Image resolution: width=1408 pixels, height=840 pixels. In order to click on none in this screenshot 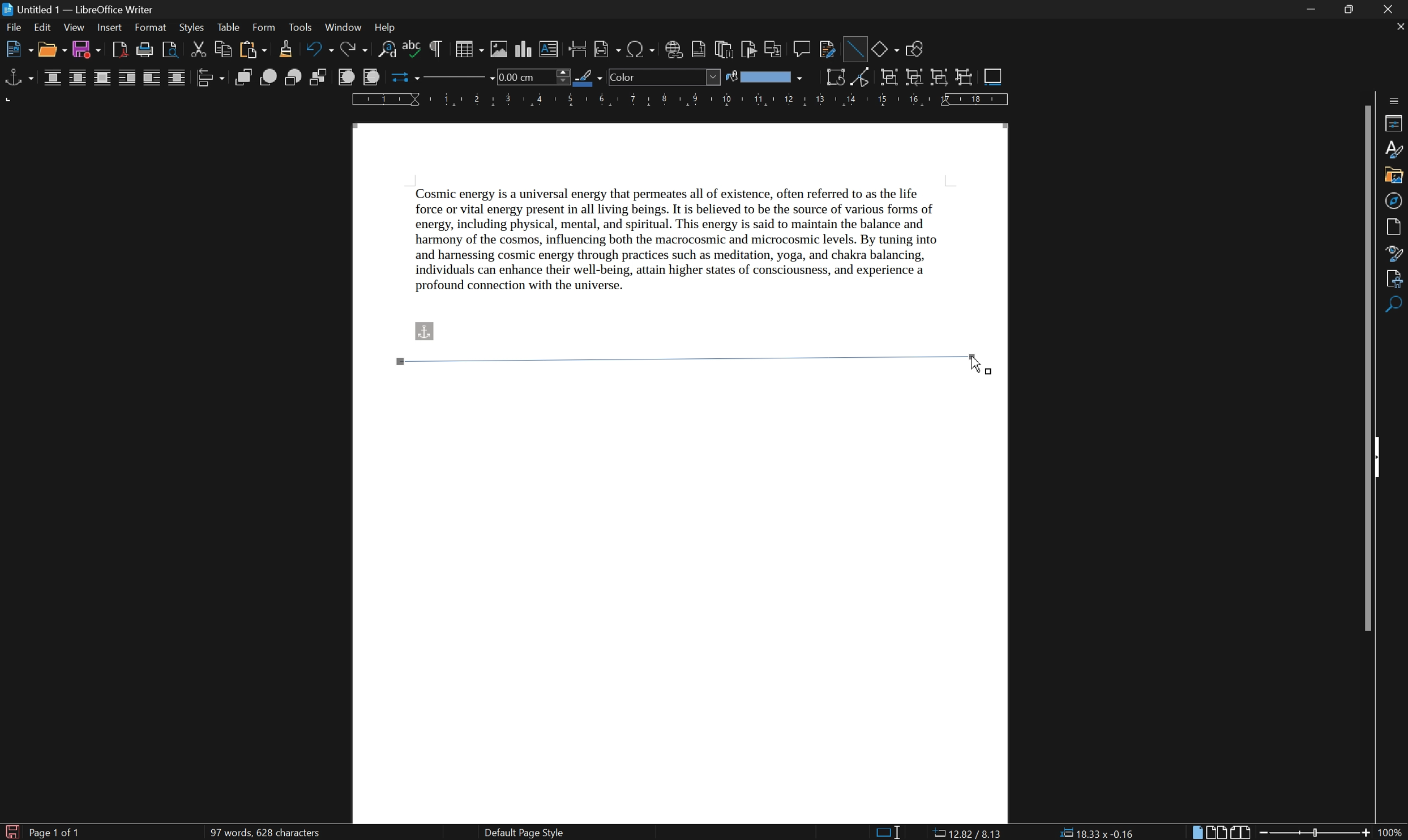, I will do `click(54, 78)`.